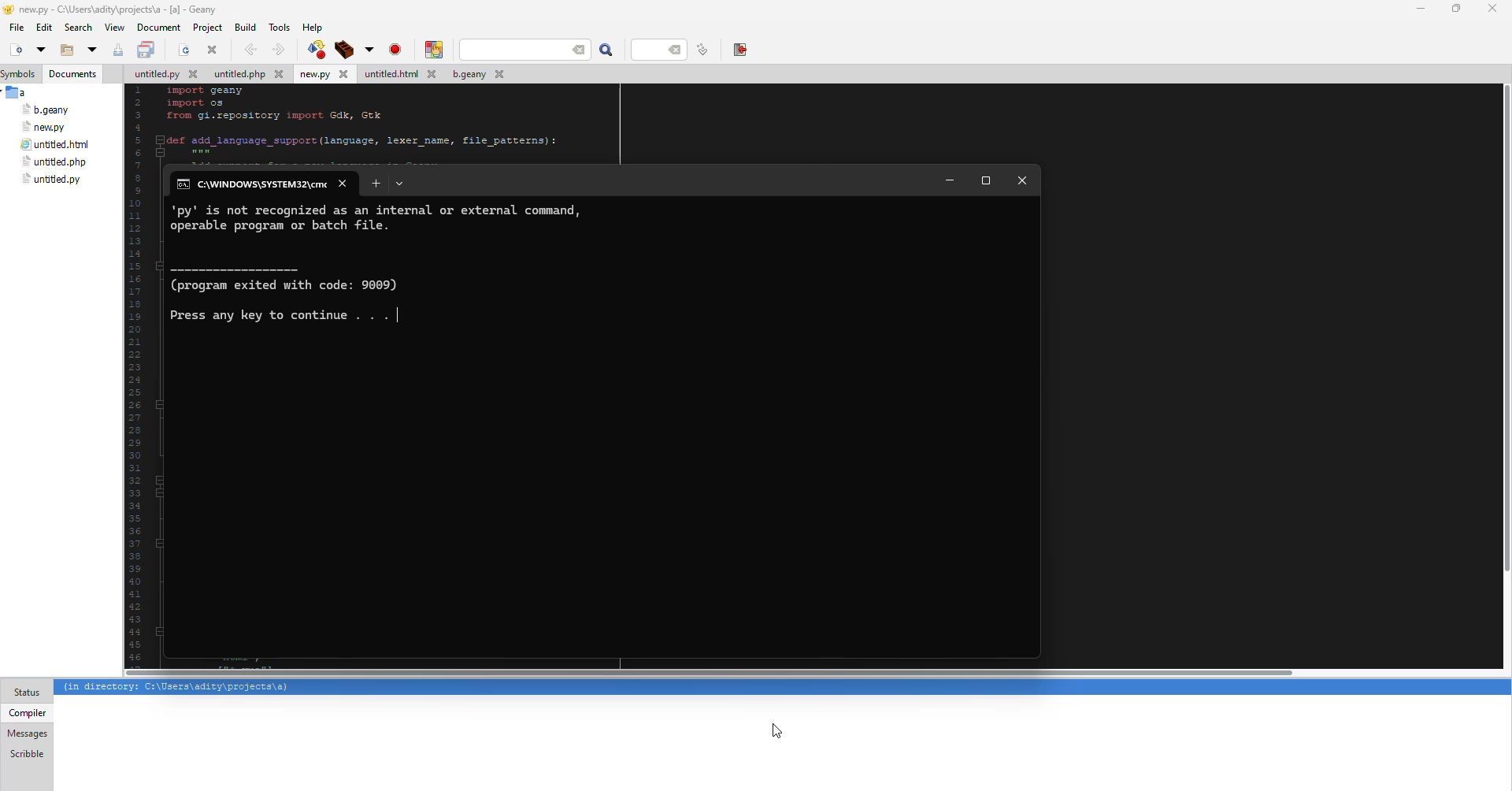 Image resolution: width=1512 pixels, height=791 pixels. What do you see at coordinates (987, 181) in the screenshot?
I see `maximize` at bounding box center [987, 181].